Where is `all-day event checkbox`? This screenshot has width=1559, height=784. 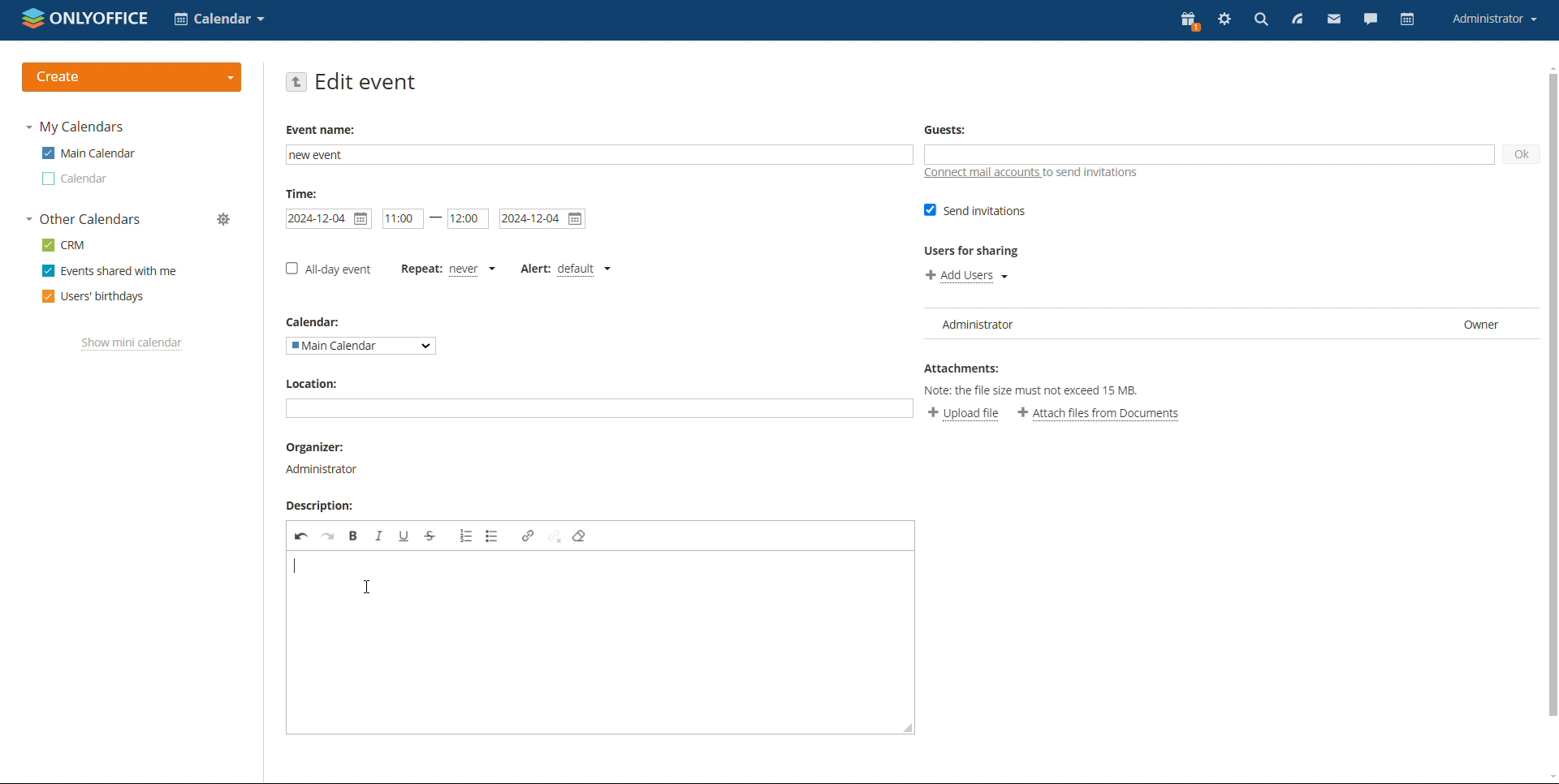
all-day event checkbox is located at coordinates (329, 269).